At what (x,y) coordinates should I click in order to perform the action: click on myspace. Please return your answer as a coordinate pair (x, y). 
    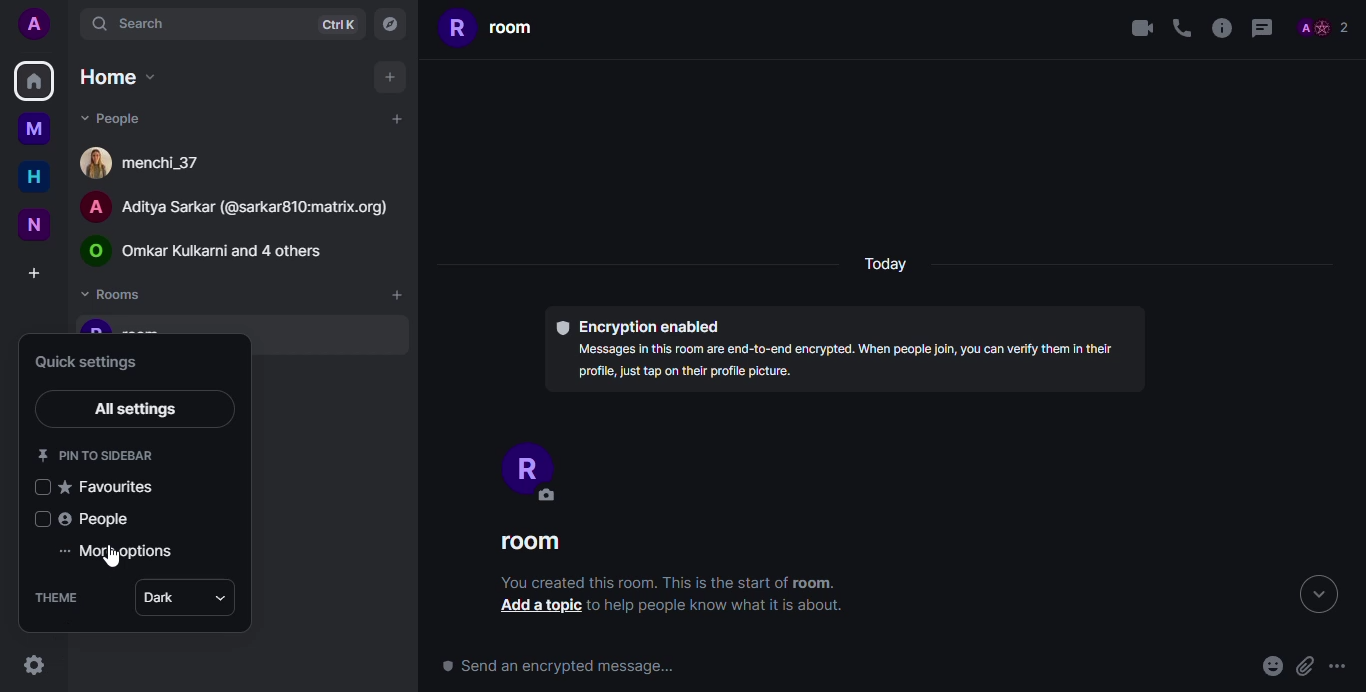
    Looking at the image, I should click on (33, 131).